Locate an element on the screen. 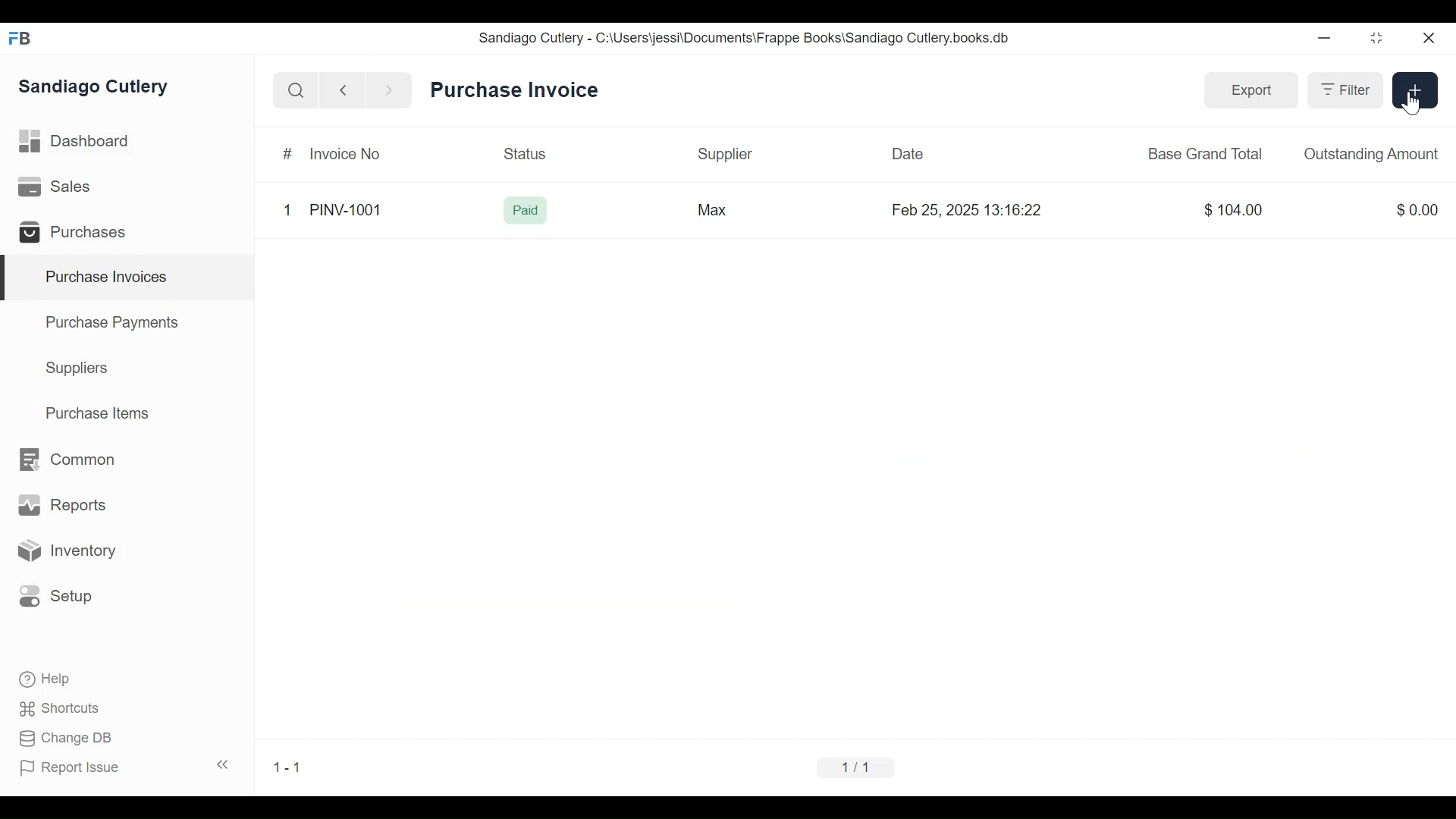 The image size is (1456, 819). Navigate forward is located at coordinates (388, 89).